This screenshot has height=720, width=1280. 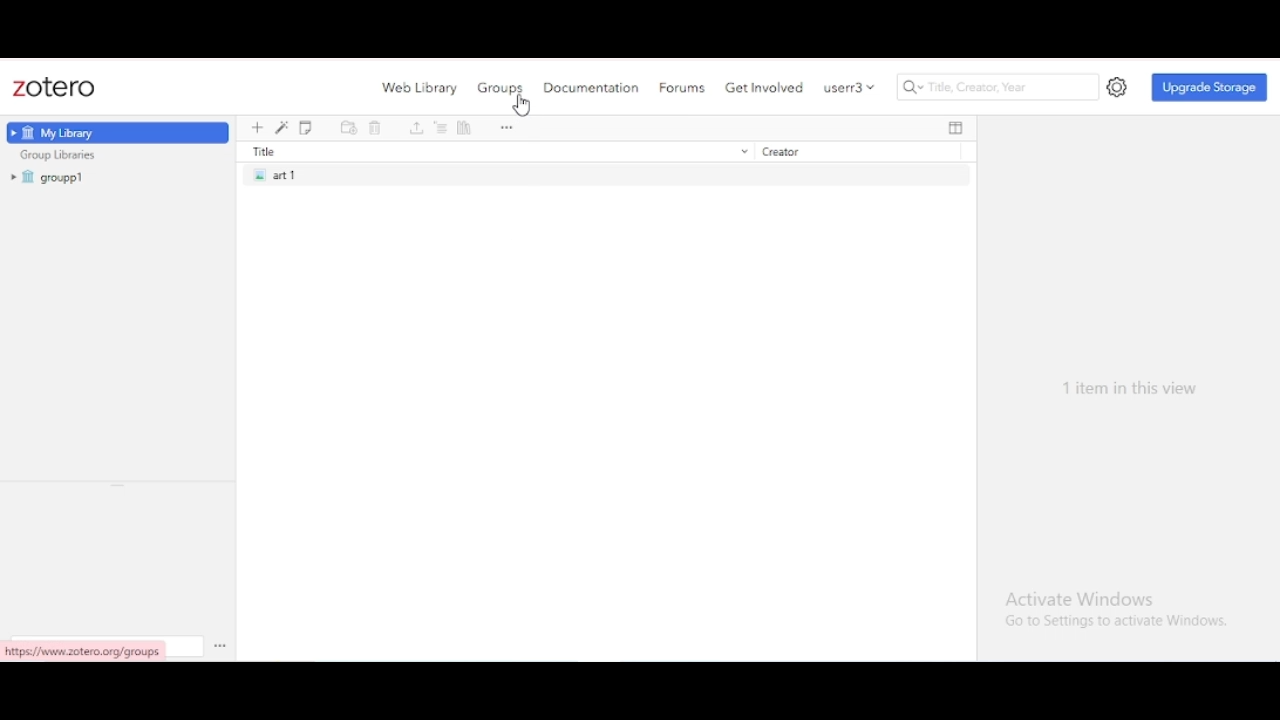 What do you see at coordinates (682, 88) in the screenshot?
I see `forums` at bounding box center [682, 88].